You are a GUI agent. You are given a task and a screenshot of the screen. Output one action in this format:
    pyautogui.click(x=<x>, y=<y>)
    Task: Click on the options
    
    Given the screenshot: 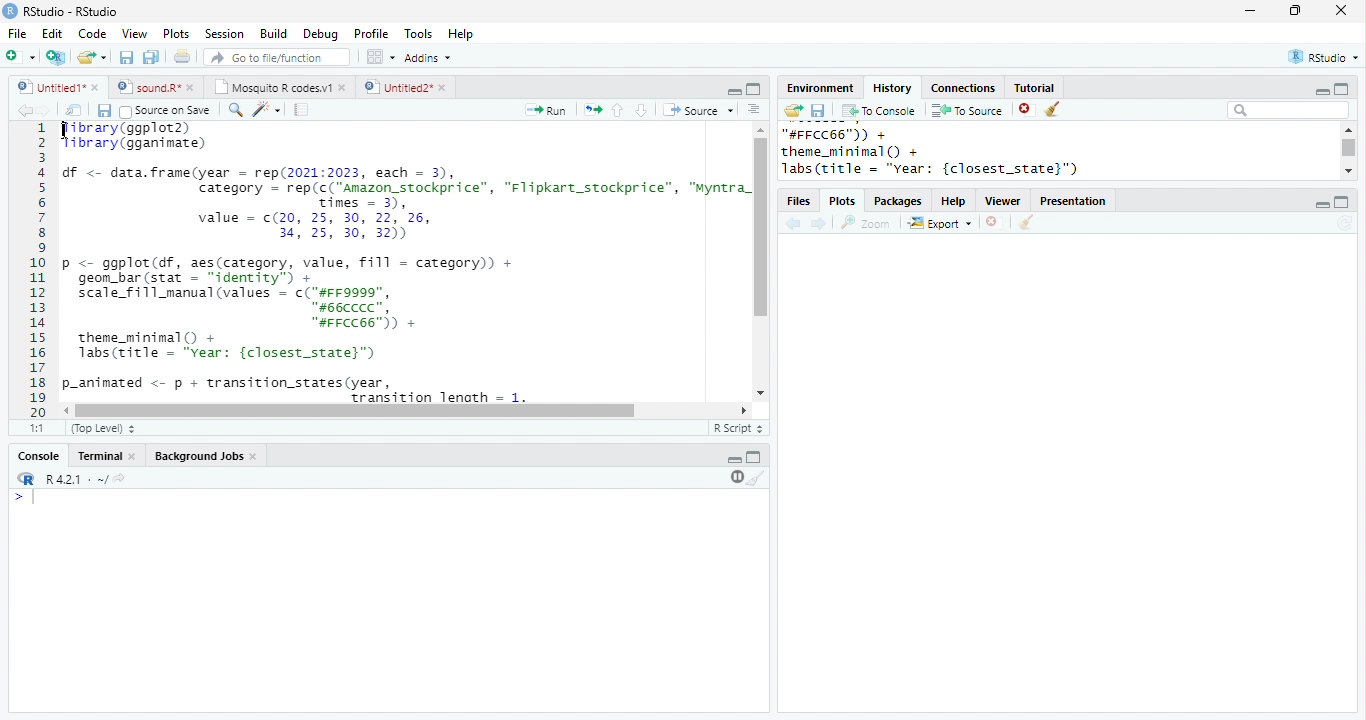 What is the action you would take?
    pyautogui.click(x=752, y=109)
    